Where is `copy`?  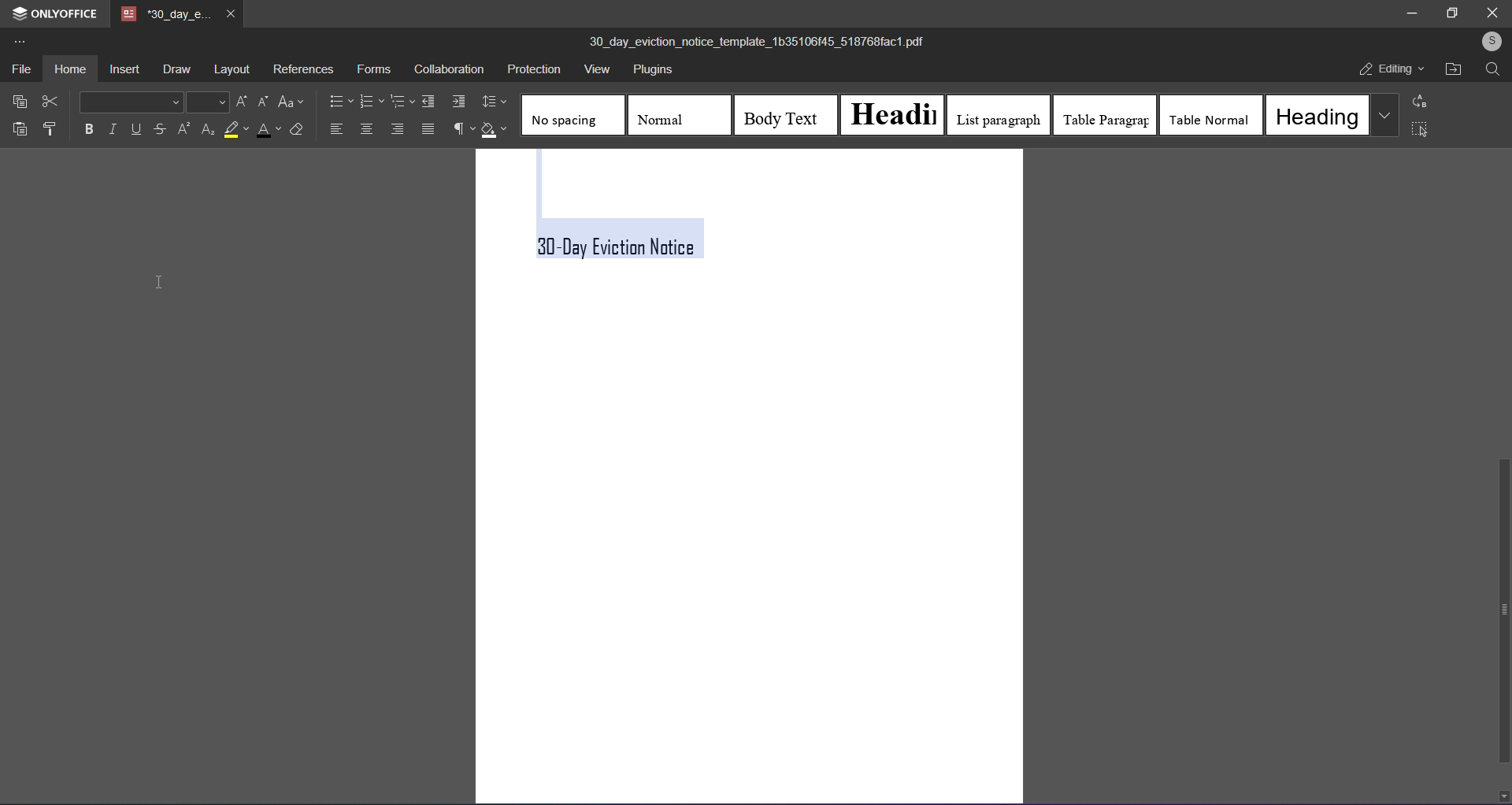 copy is located at coordinates (17, 100).